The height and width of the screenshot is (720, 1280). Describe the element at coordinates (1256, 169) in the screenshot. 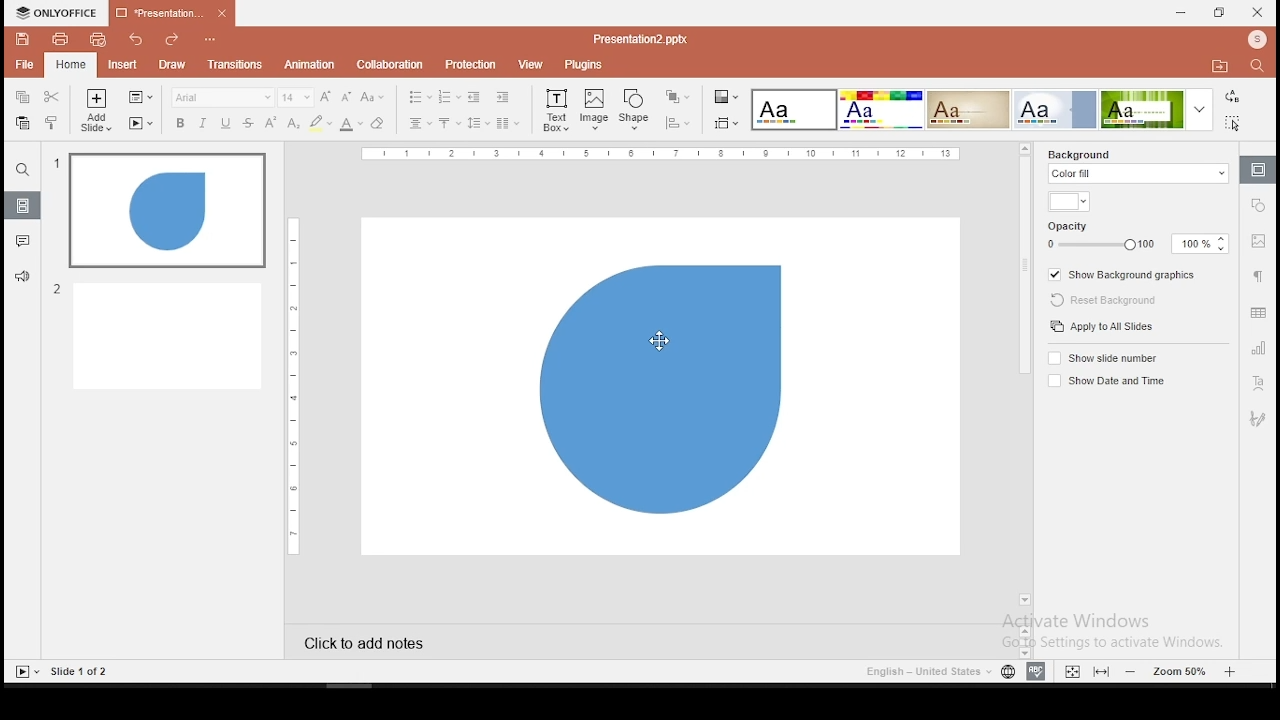

I see `slide settings` at that location.